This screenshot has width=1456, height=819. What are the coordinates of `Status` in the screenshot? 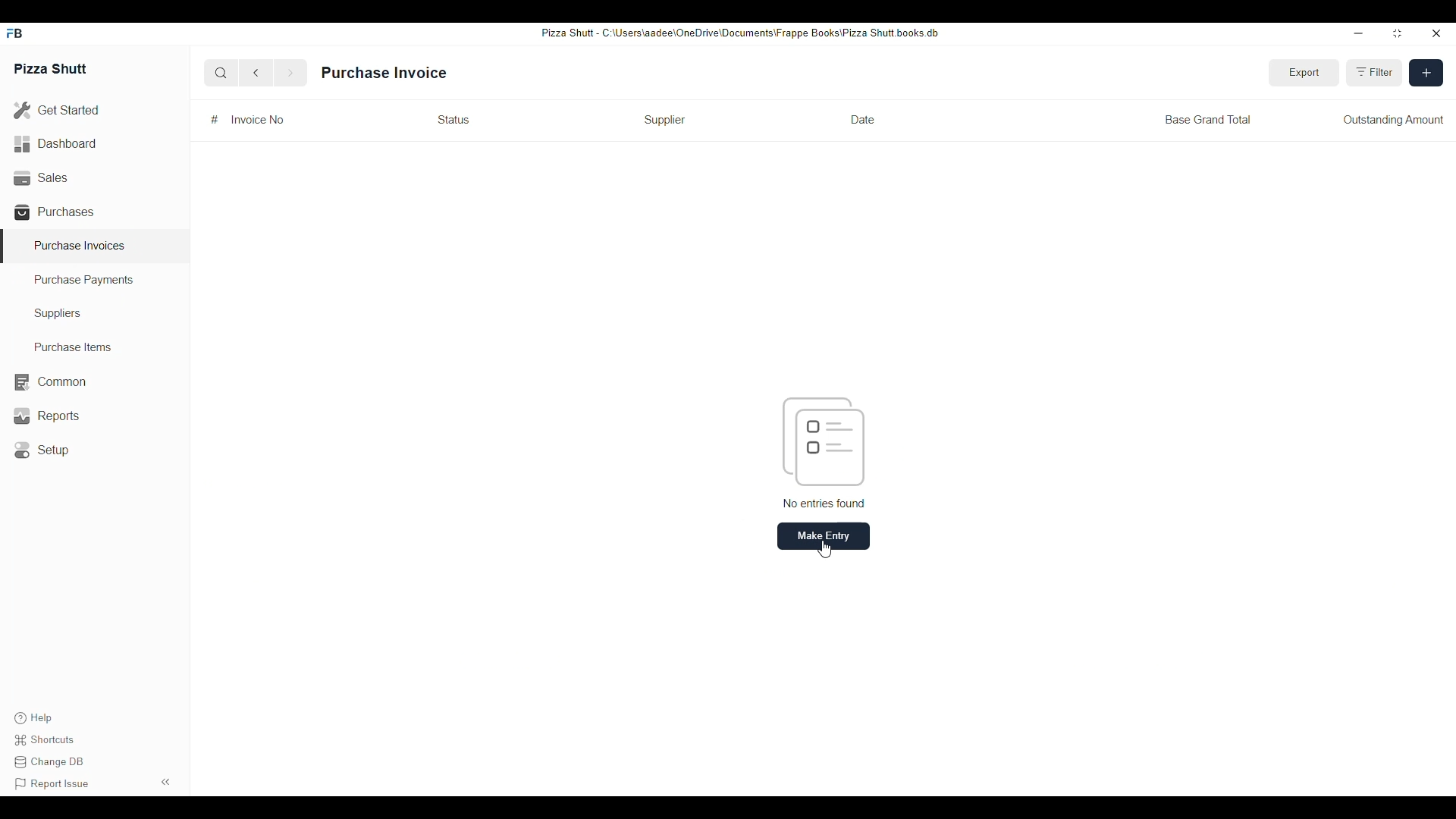 It's located at (453, 119).